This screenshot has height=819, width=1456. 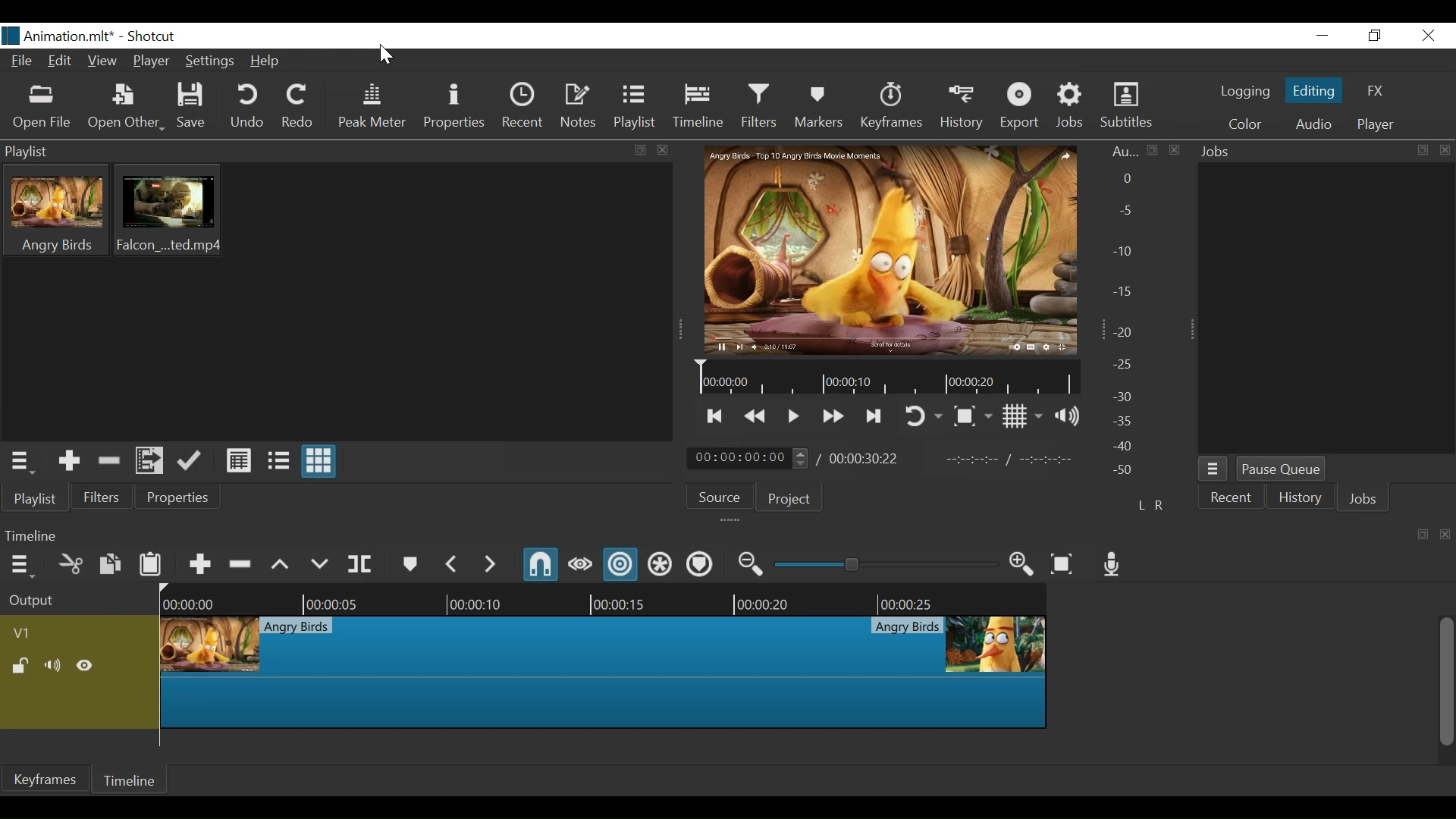 What do you see at coordinates (489, 563) in the screenshot?
I see `Next Marker` at bounding box center [489, 563].